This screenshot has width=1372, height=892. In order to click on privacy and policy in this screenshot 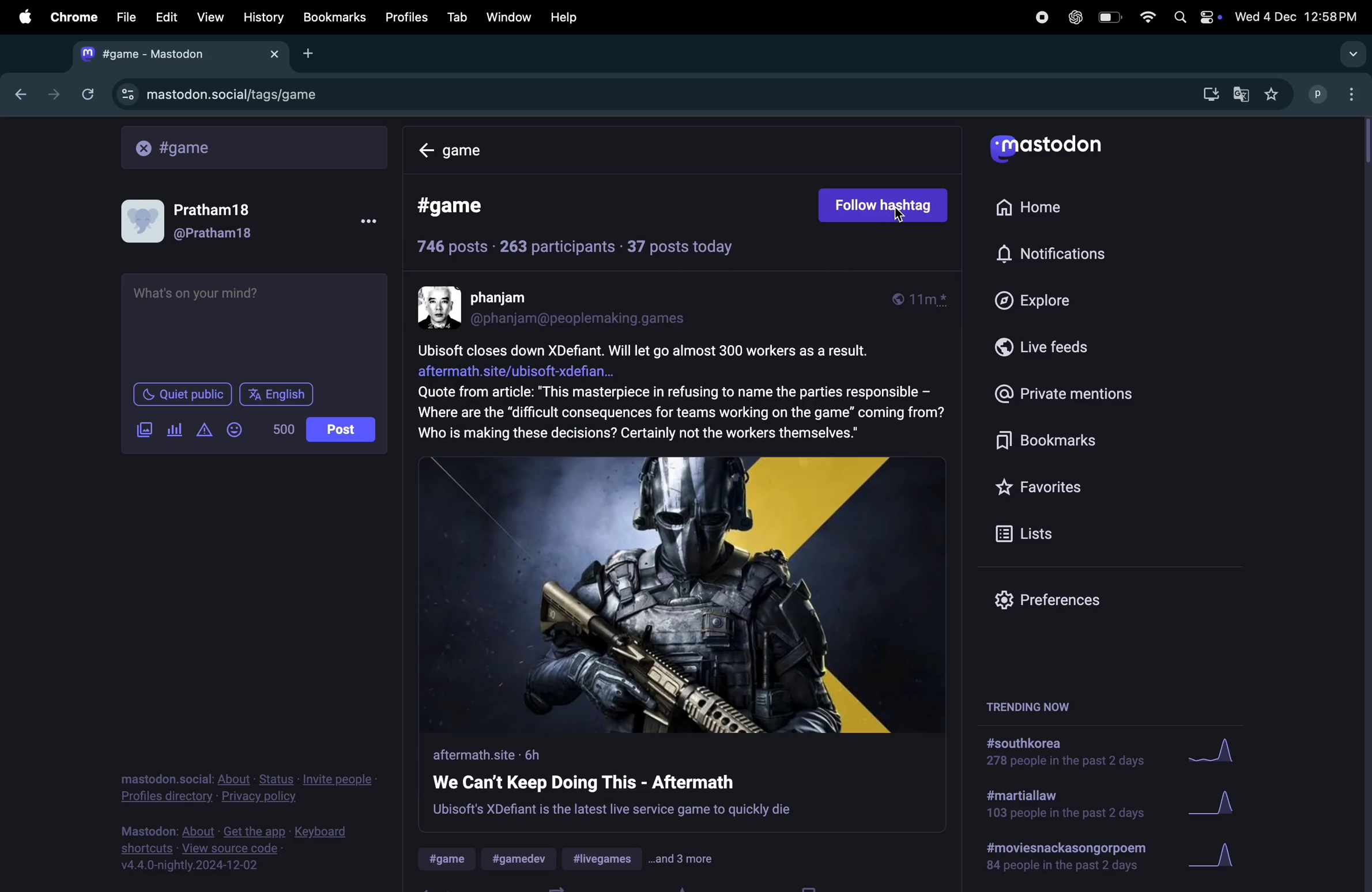, I will do `click(251, 788)`.